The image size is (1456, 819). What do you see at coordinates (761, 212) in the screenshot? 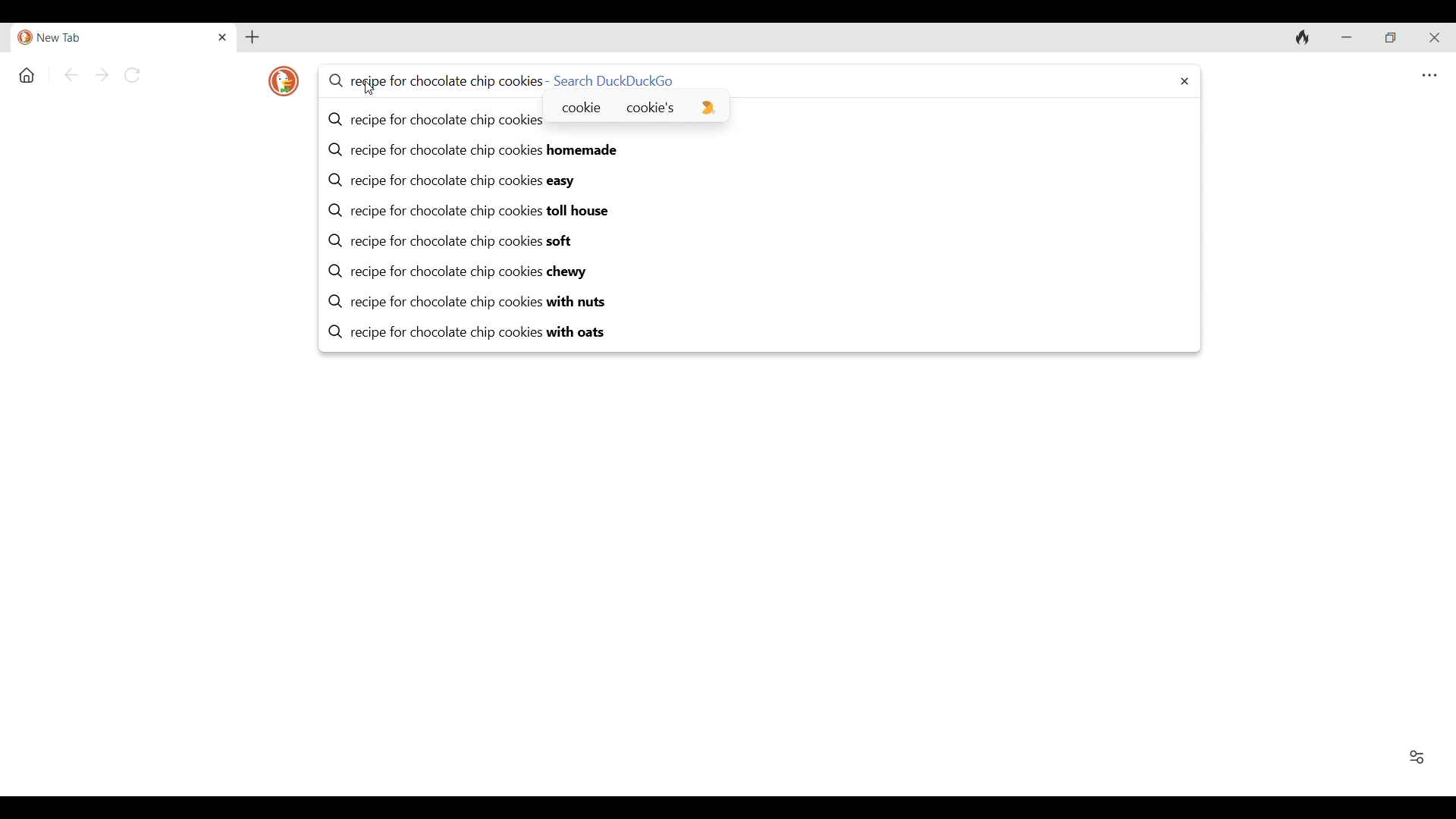
I see `Q recipe for chocolate chip cookies toll house` at bounding box center [761, 212].